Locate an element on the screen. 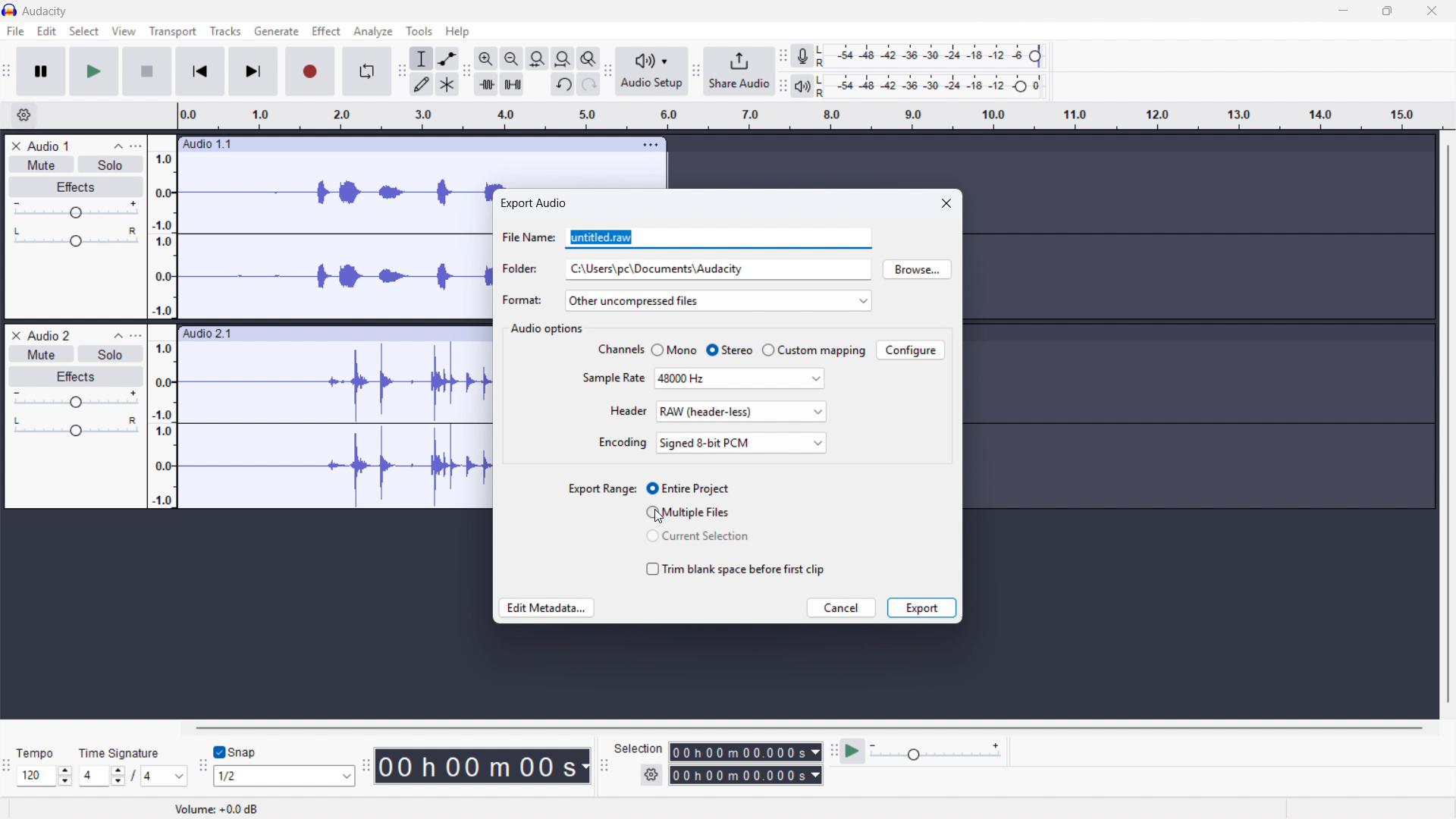 Image resolution: width=1456 pixels, height=819 pixels. Click to drag  is located at coordinates (400, 143).